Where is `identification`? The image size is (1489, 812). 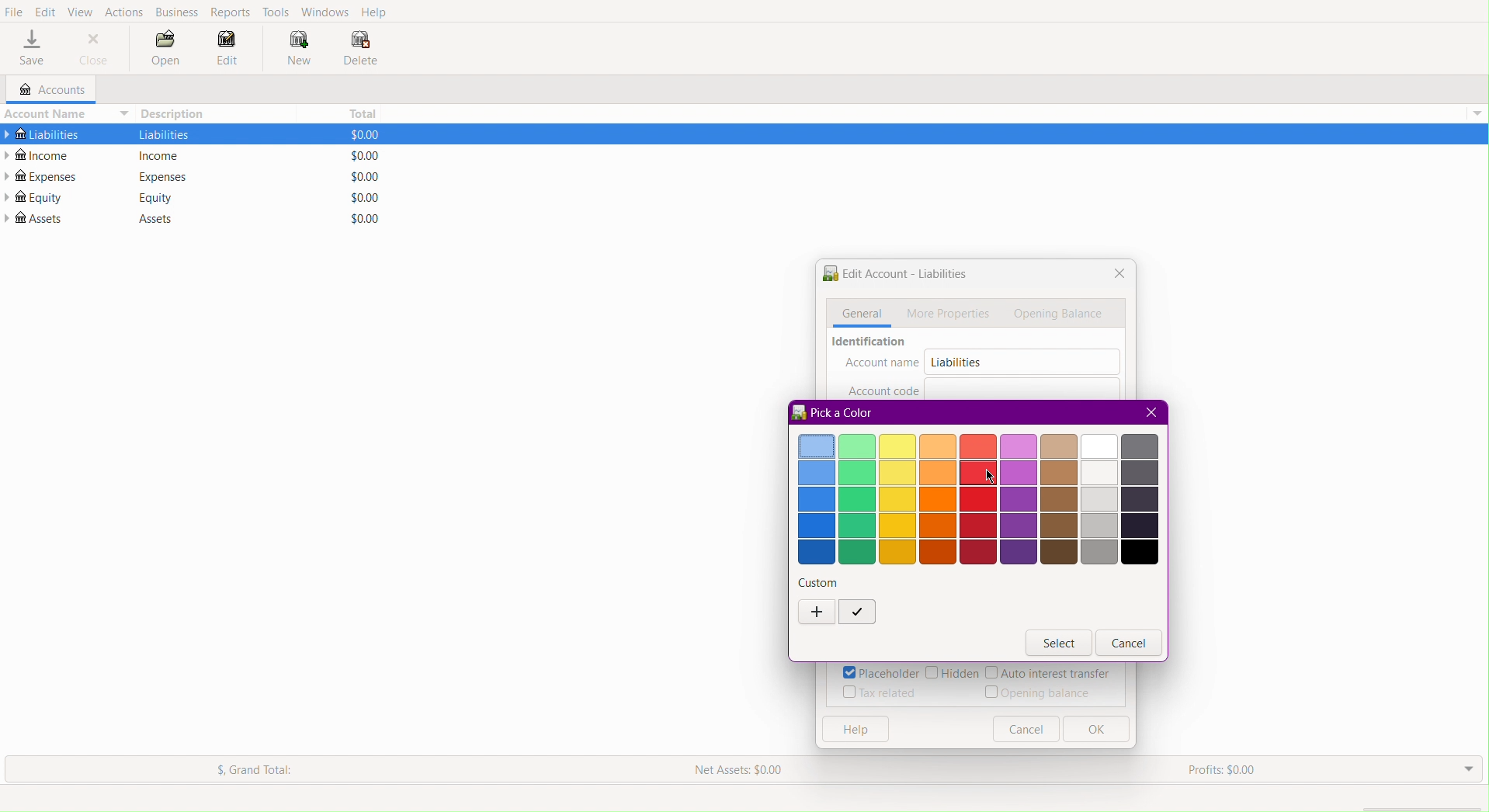 identification is located at coordinates (871, 343).